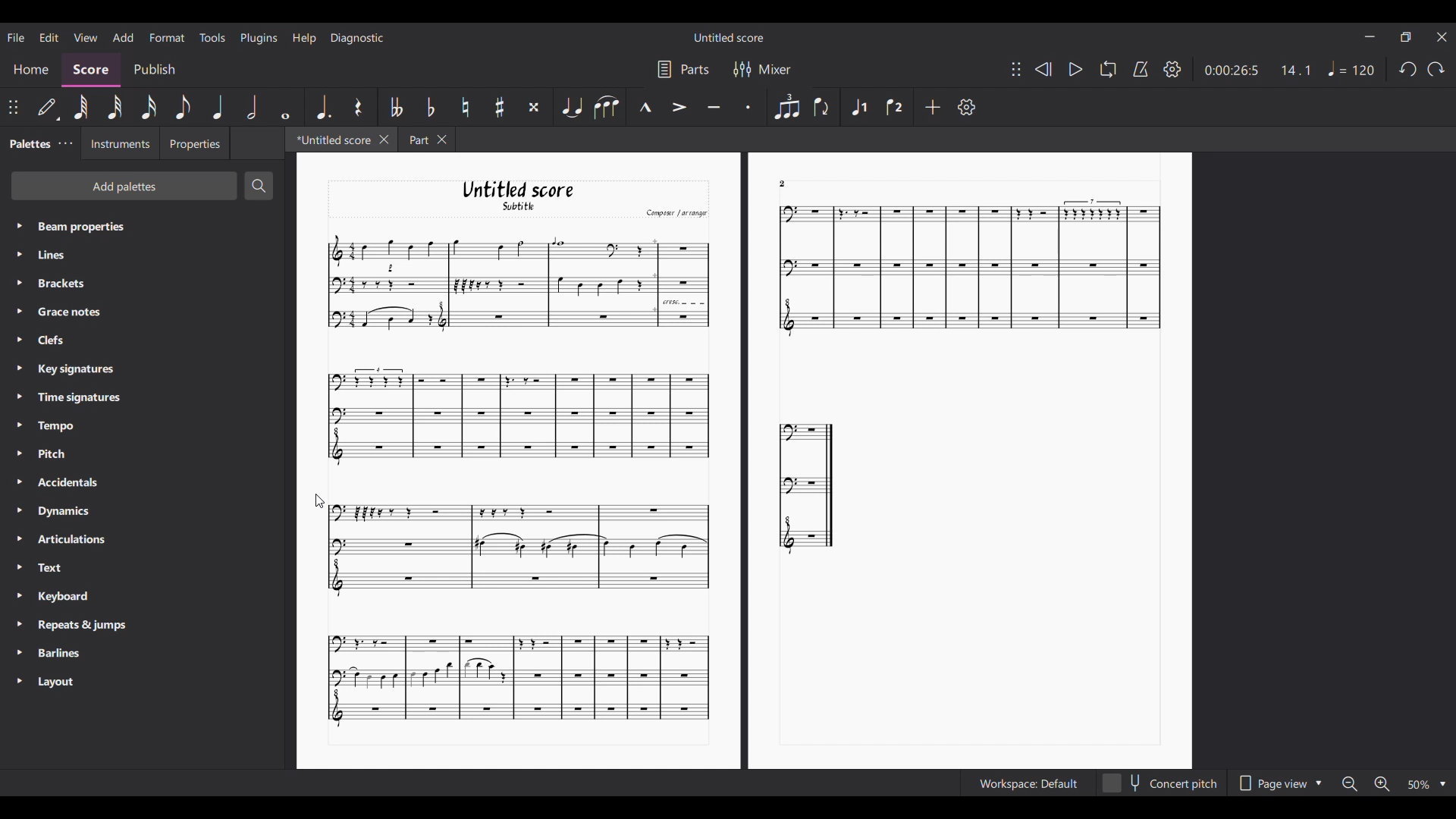 This screenshot has height=819, width=1456. I want to click on workspace Default, so click(1025, 784).